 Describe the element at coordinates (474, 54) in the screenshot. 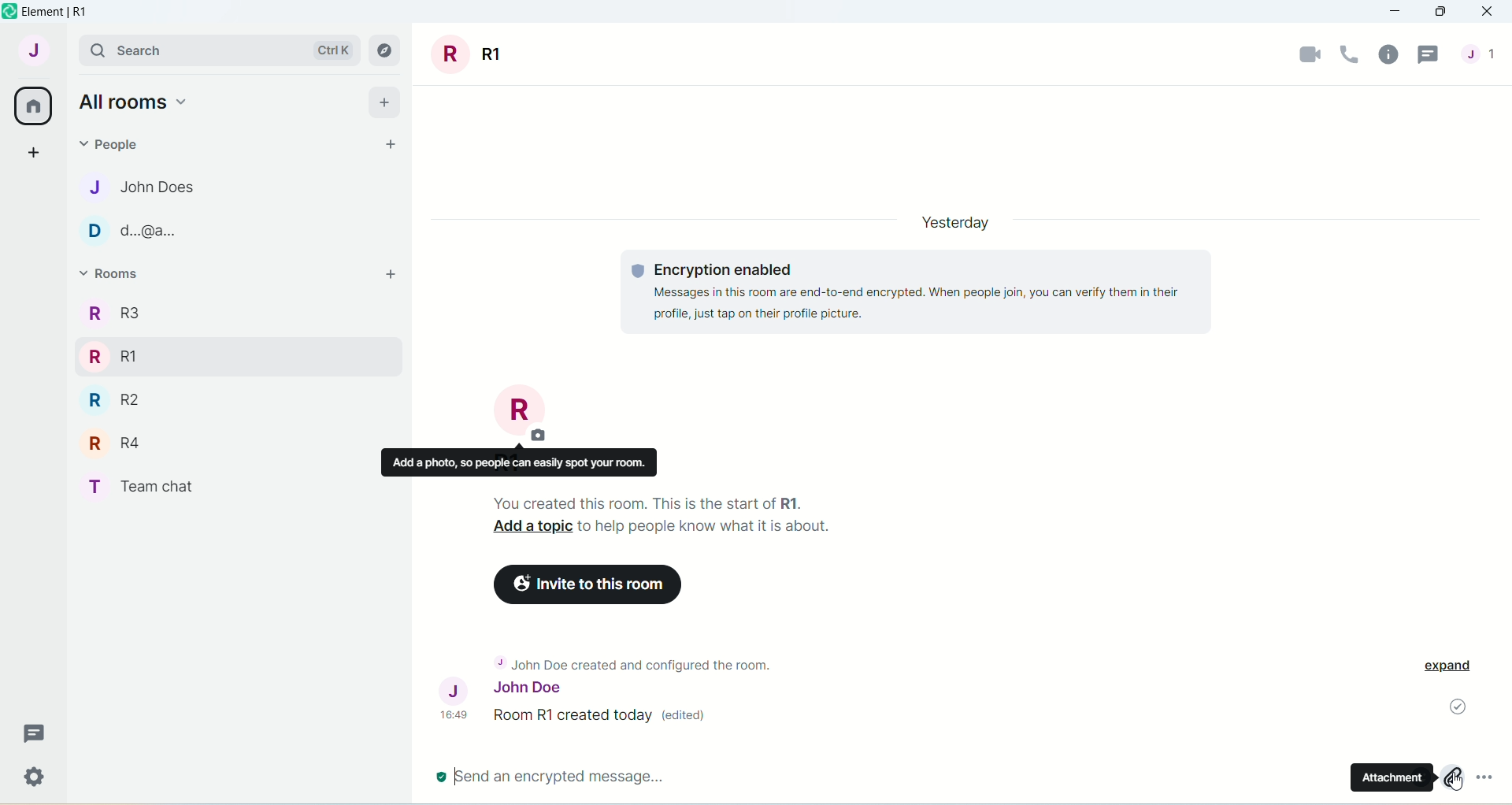

I see `room title R R1` at that location.